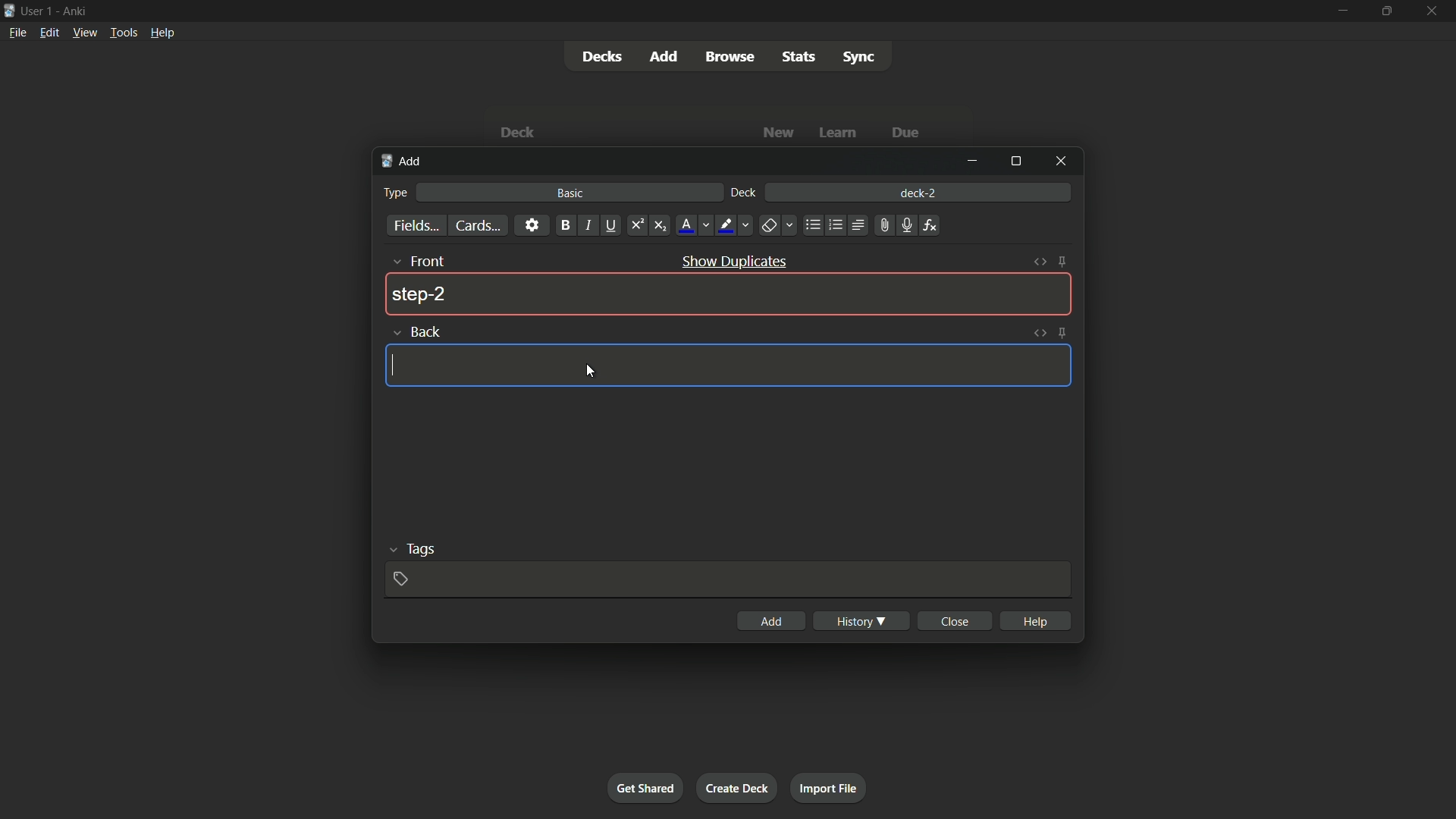 The width and height of the screenshot is (1456, 819). I want to click on bold, so click(564, 225).